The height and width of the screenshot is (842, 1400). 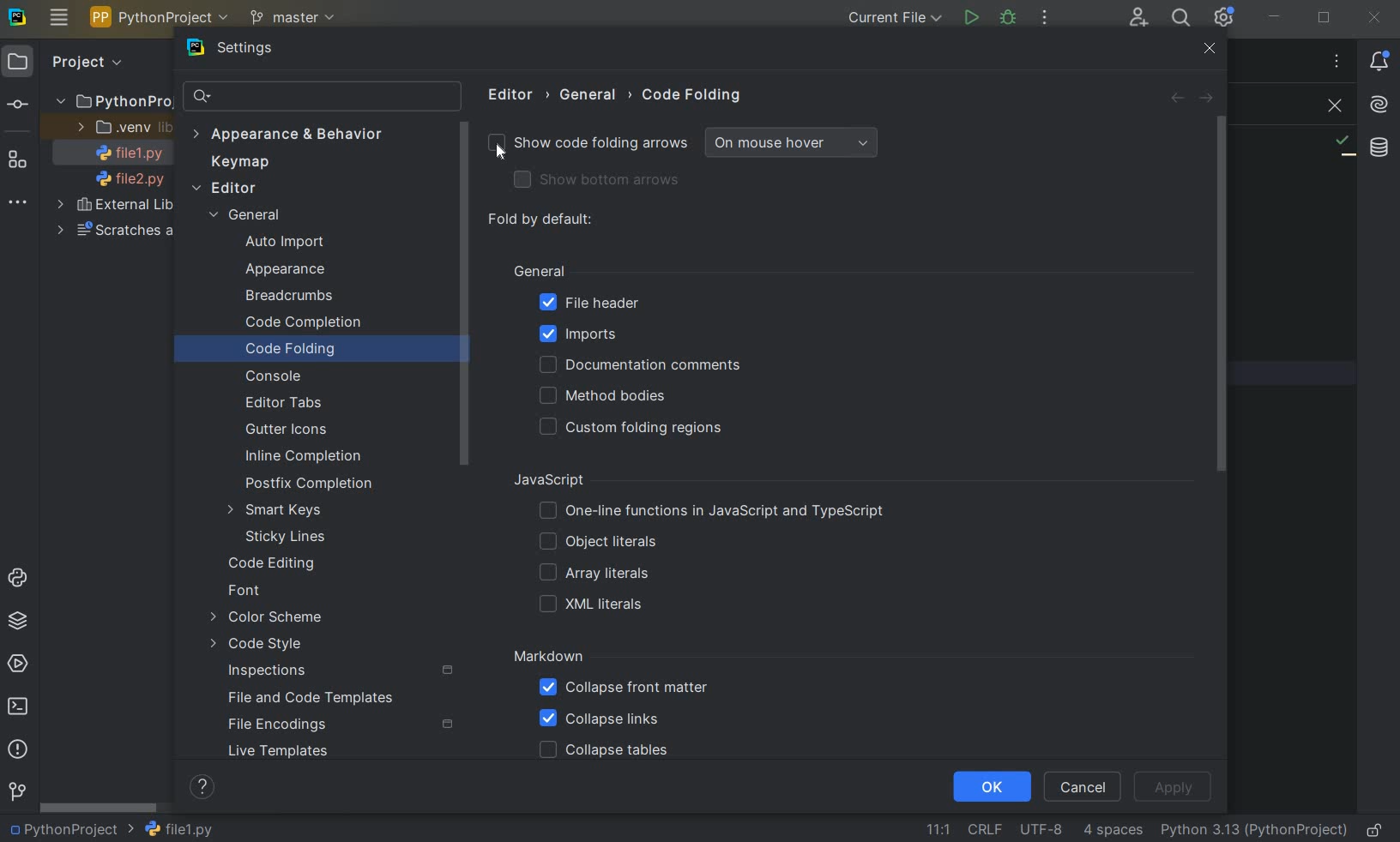 What do you see at coordinates (1228, 295) in the screenshot?
I see `SCROLLBAR` at bounding box center [1228, 295].